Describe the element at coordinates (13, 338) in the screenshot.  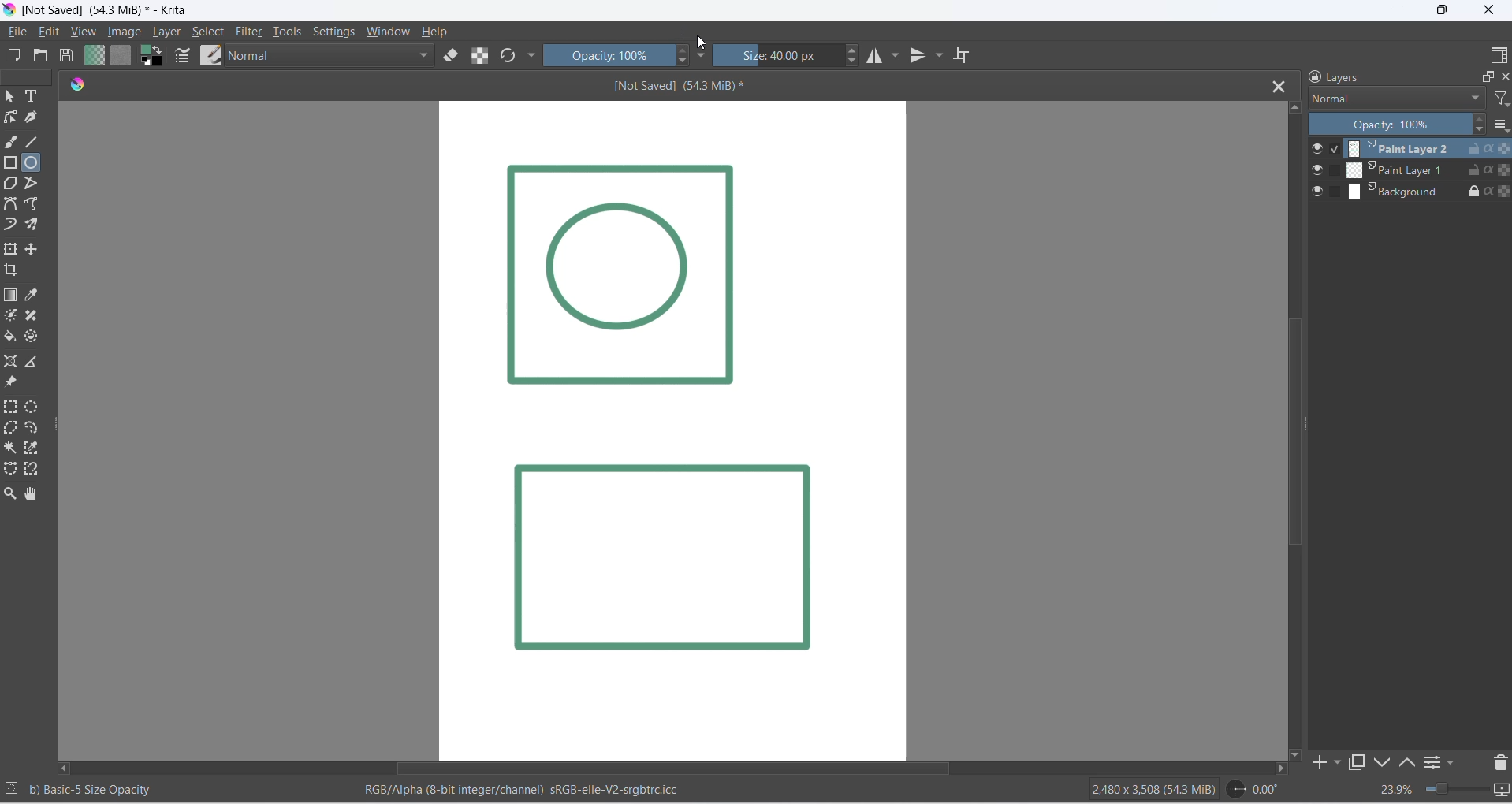
I see `fill color` at that location.